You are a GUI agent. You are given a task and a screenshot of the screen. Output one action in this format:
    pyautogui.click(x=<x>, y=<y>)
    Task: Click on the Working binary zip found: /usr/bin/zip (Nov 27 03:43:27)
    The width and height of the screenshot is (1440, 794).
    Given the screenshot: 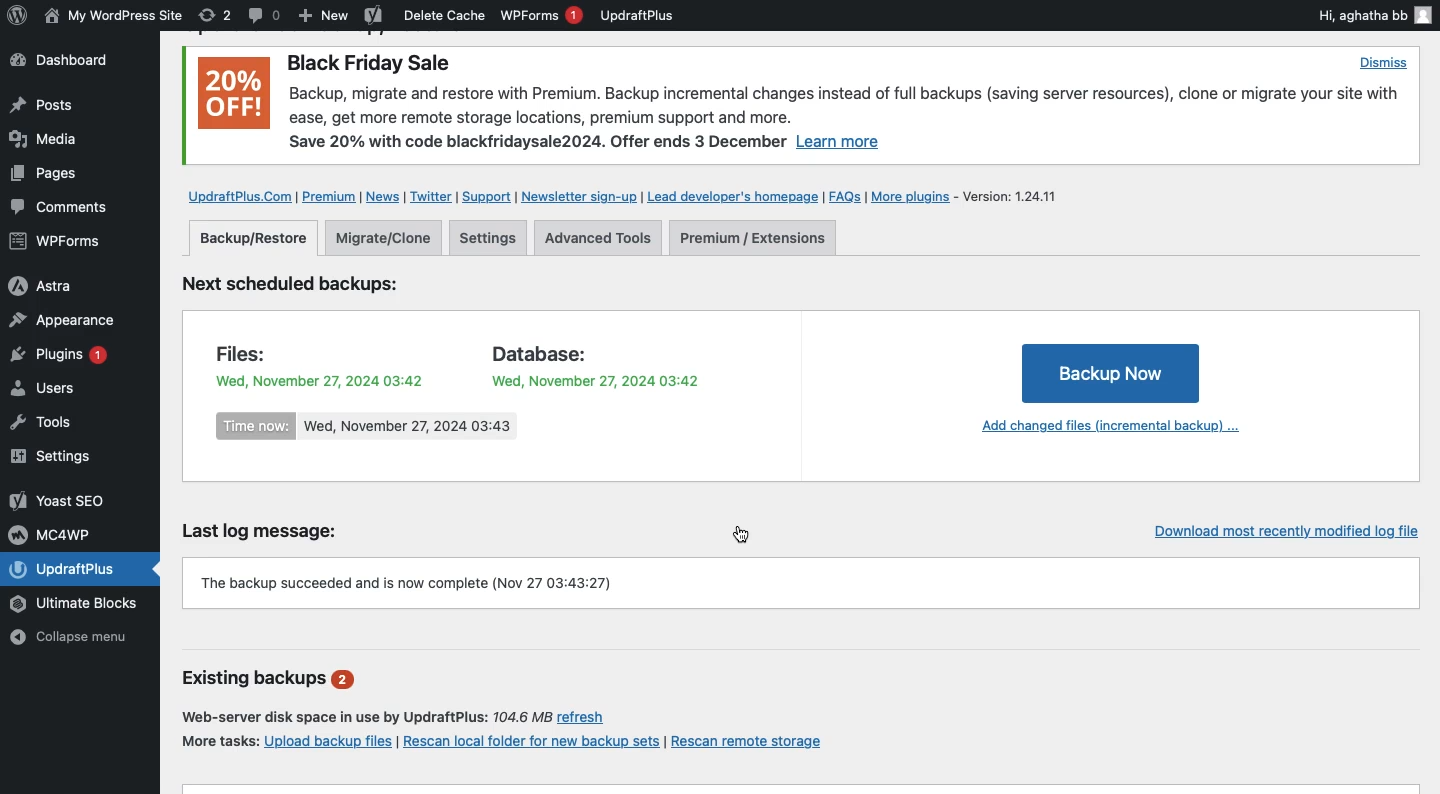 What is the action you would take?
    pyautogui.click(x=802, y=581)
    